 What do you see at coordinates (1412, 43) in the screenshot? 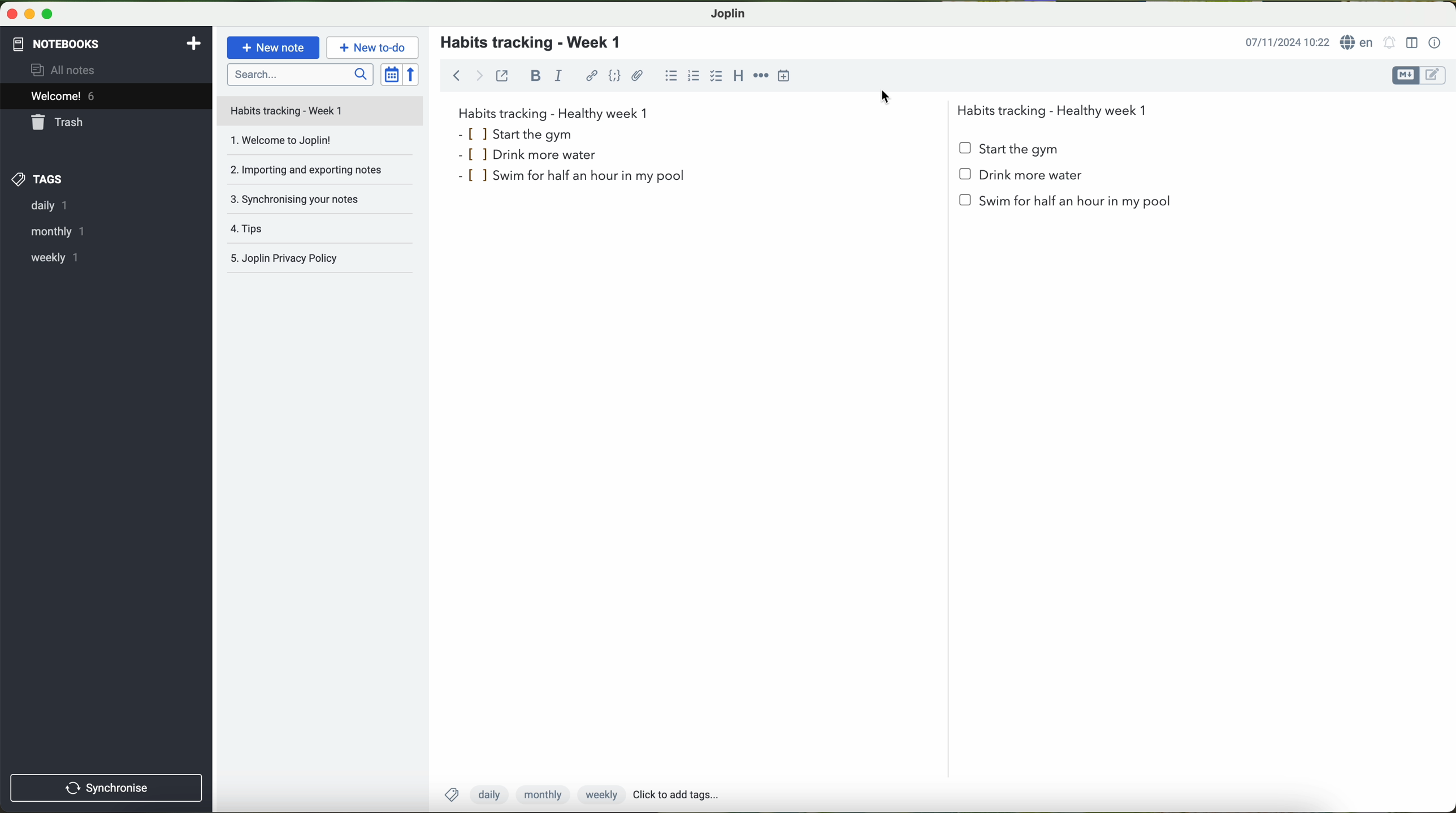
I see `toggle editor layout` at bounding box center [1412, 43].